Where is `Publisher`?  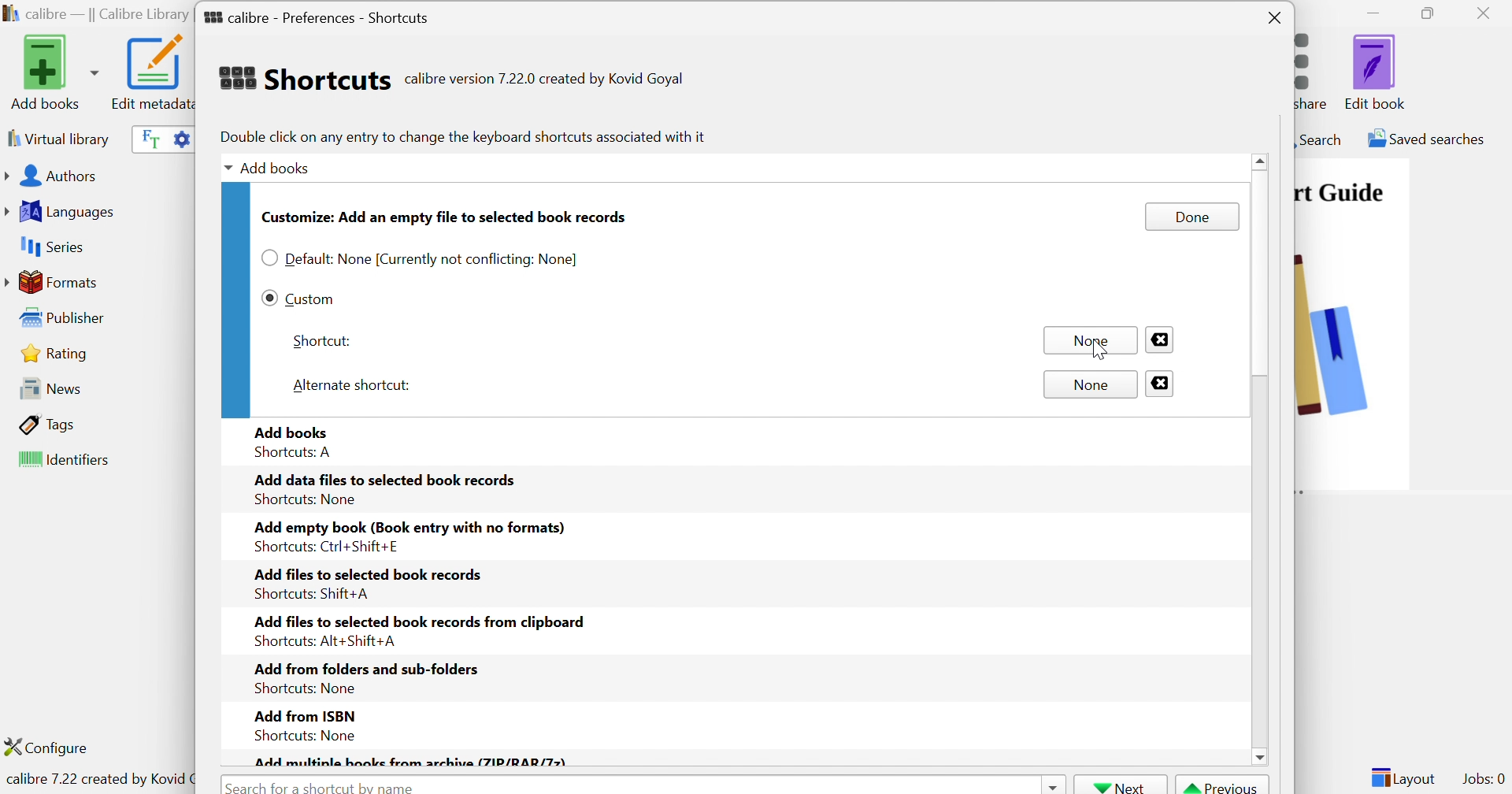
Publisher is located at coordinates (66, 318).